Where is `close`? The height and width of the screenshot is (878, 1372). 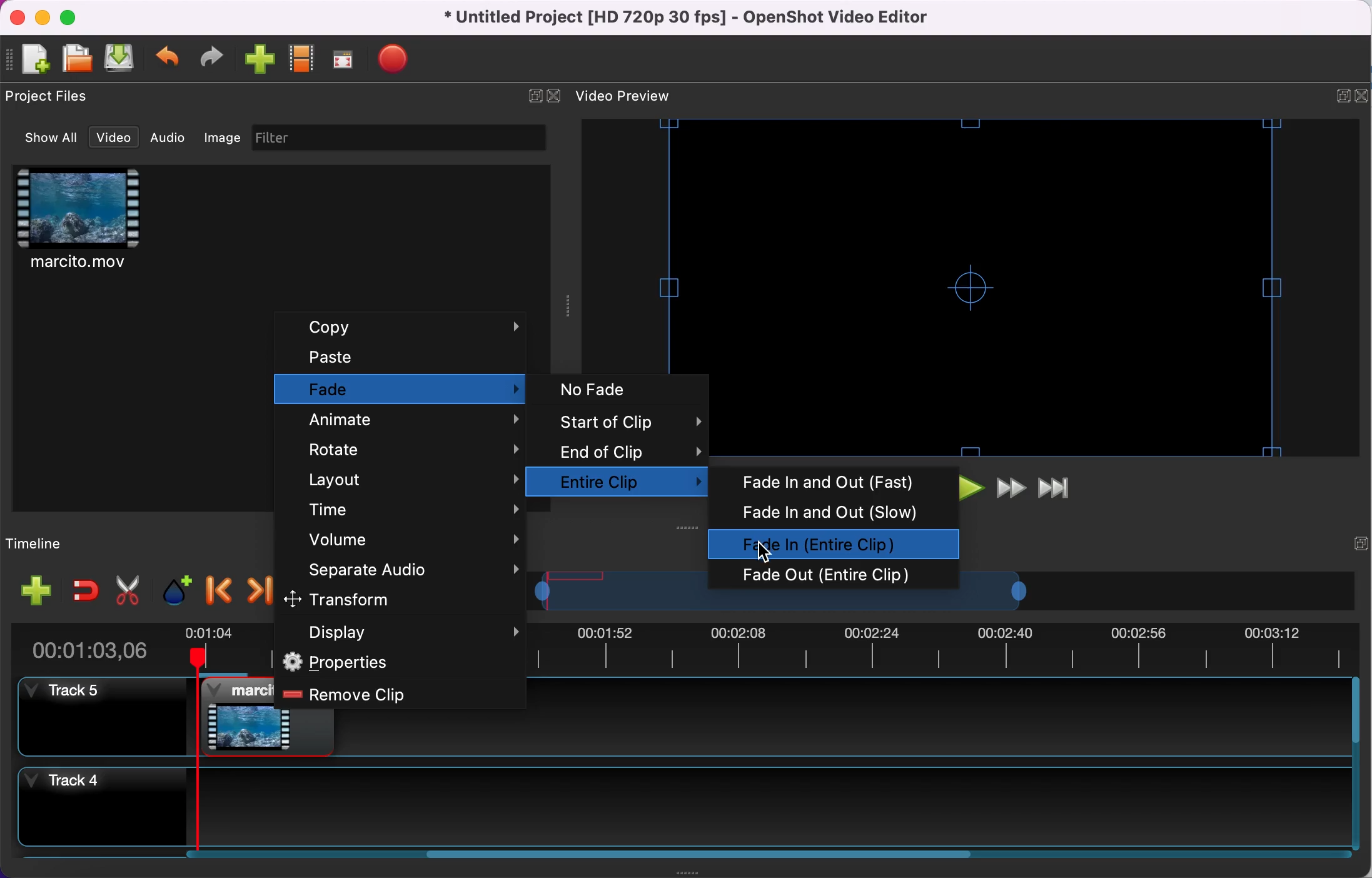 close is located at coordinates (1362, 98).